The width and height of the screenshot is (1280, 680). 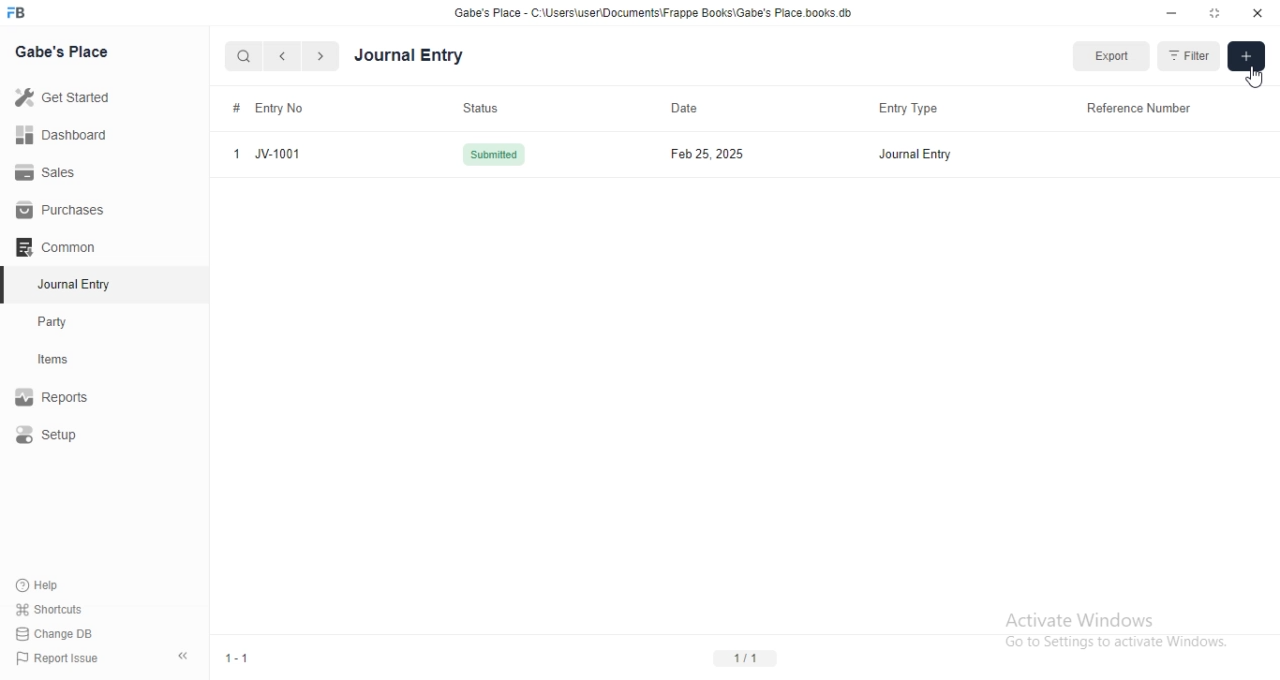 I want to click on 1-1, so click(x=241, y=656).